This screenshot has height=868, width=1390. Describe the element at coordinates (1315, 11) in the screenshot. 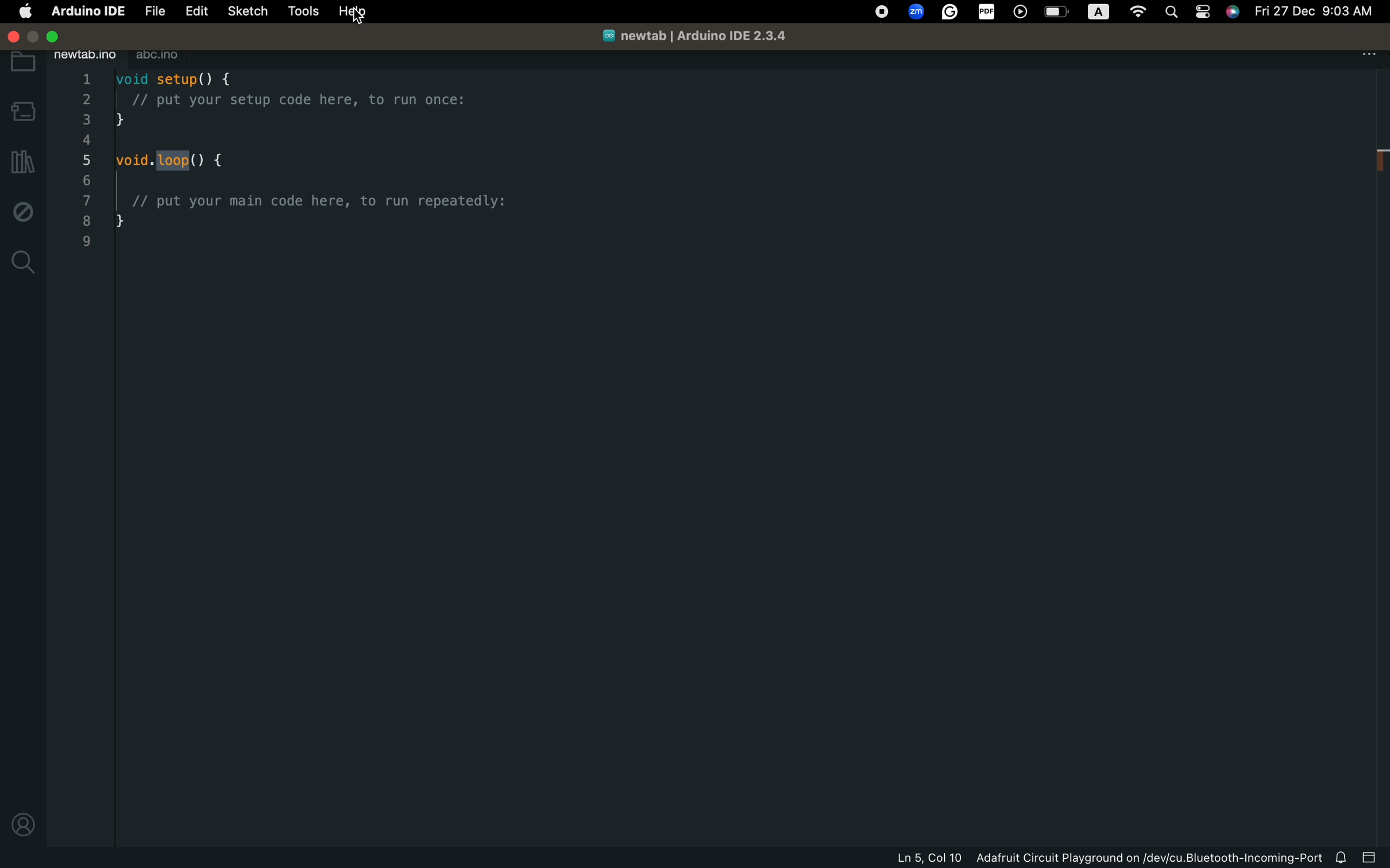

I see `Fri 27 Dec 9:03 AM` at that location.